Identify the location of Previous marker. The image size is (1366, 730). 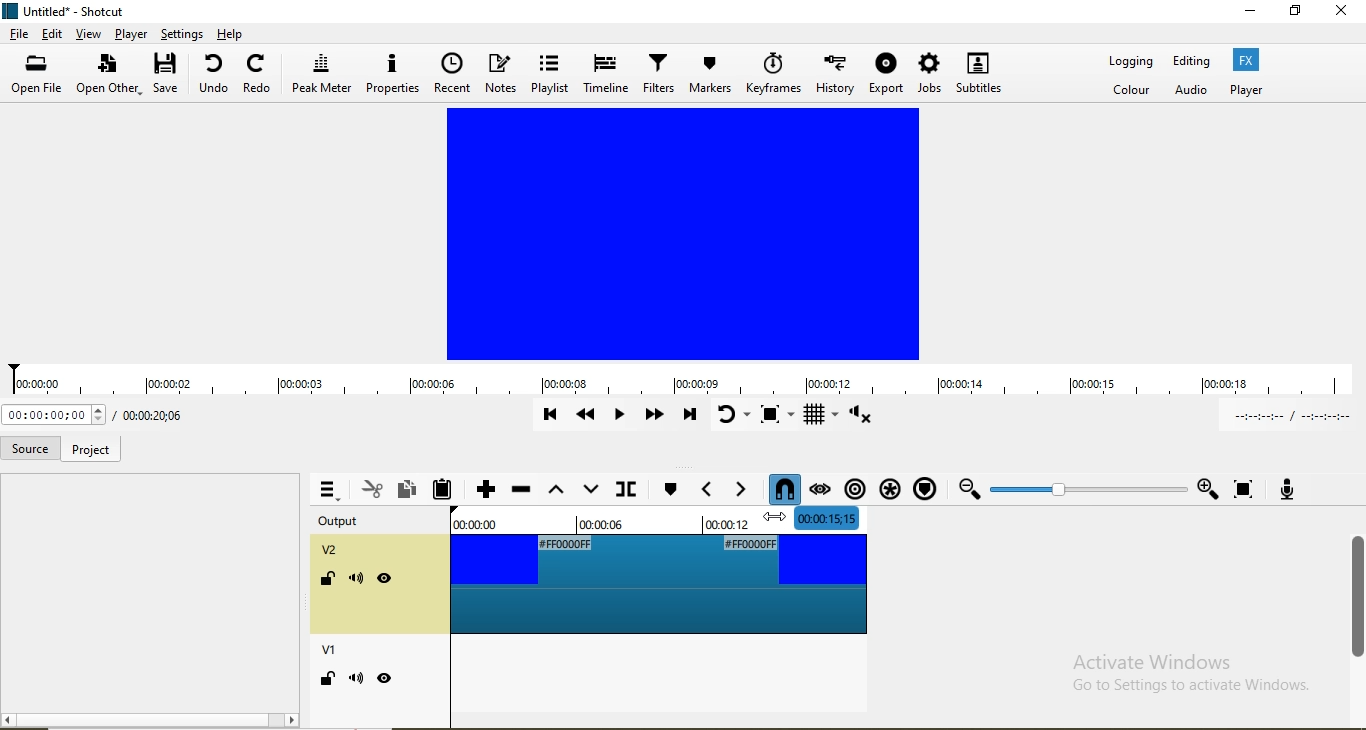
(706, 485).